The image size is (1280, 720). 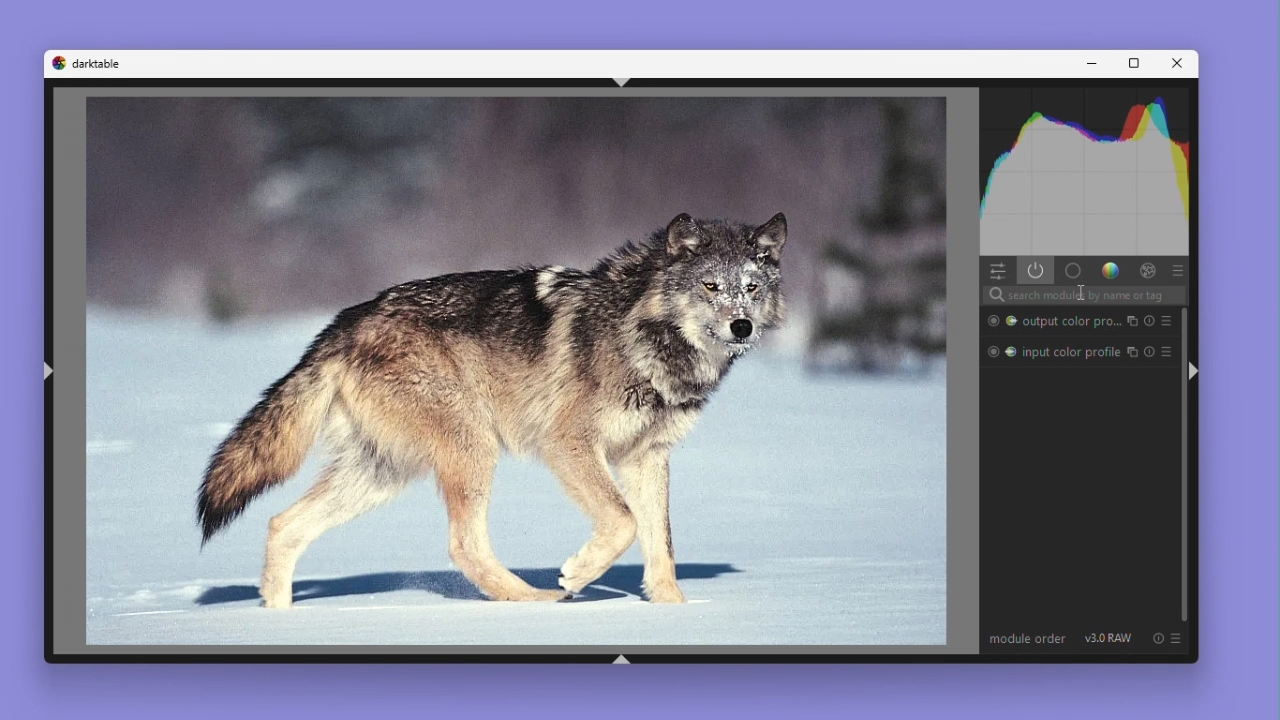 What do you see at coordinates (1084, 296) in the screenshot?
I see `Search bar` at bounding box center [1084, 296].